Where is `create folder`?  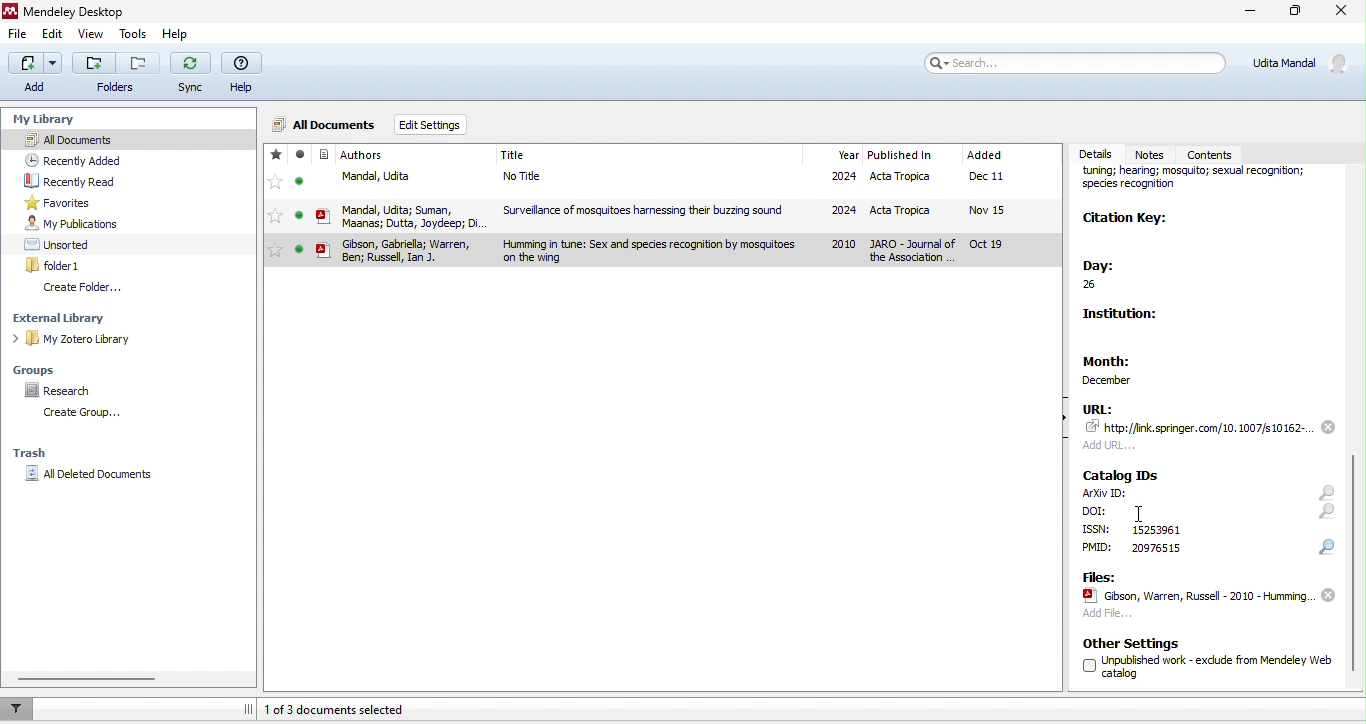 create folder is located at coordinates (84, 288).